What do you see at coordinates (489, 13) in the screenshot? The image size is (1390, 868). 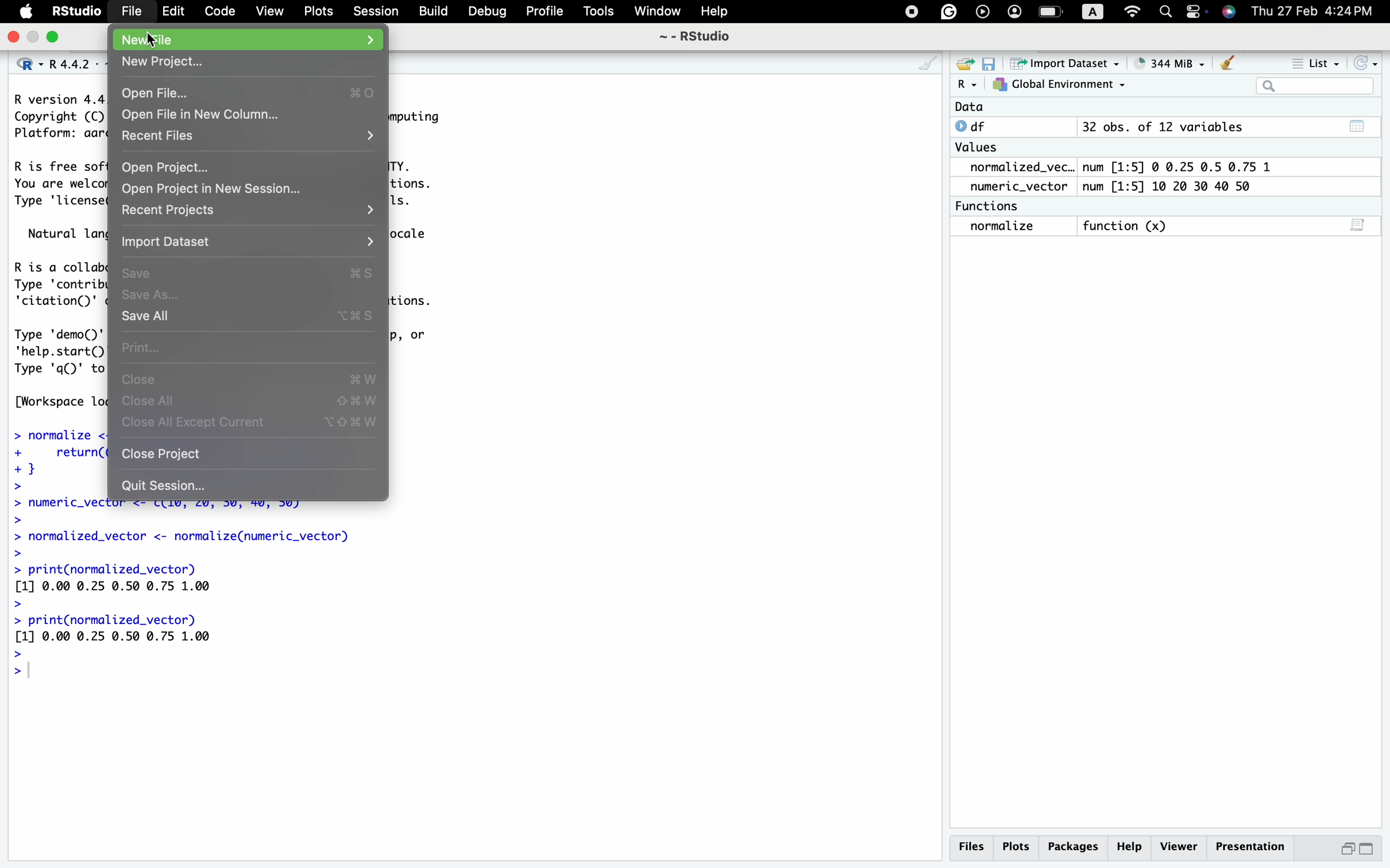 I see `Debug` at bounding box center [489, 13].